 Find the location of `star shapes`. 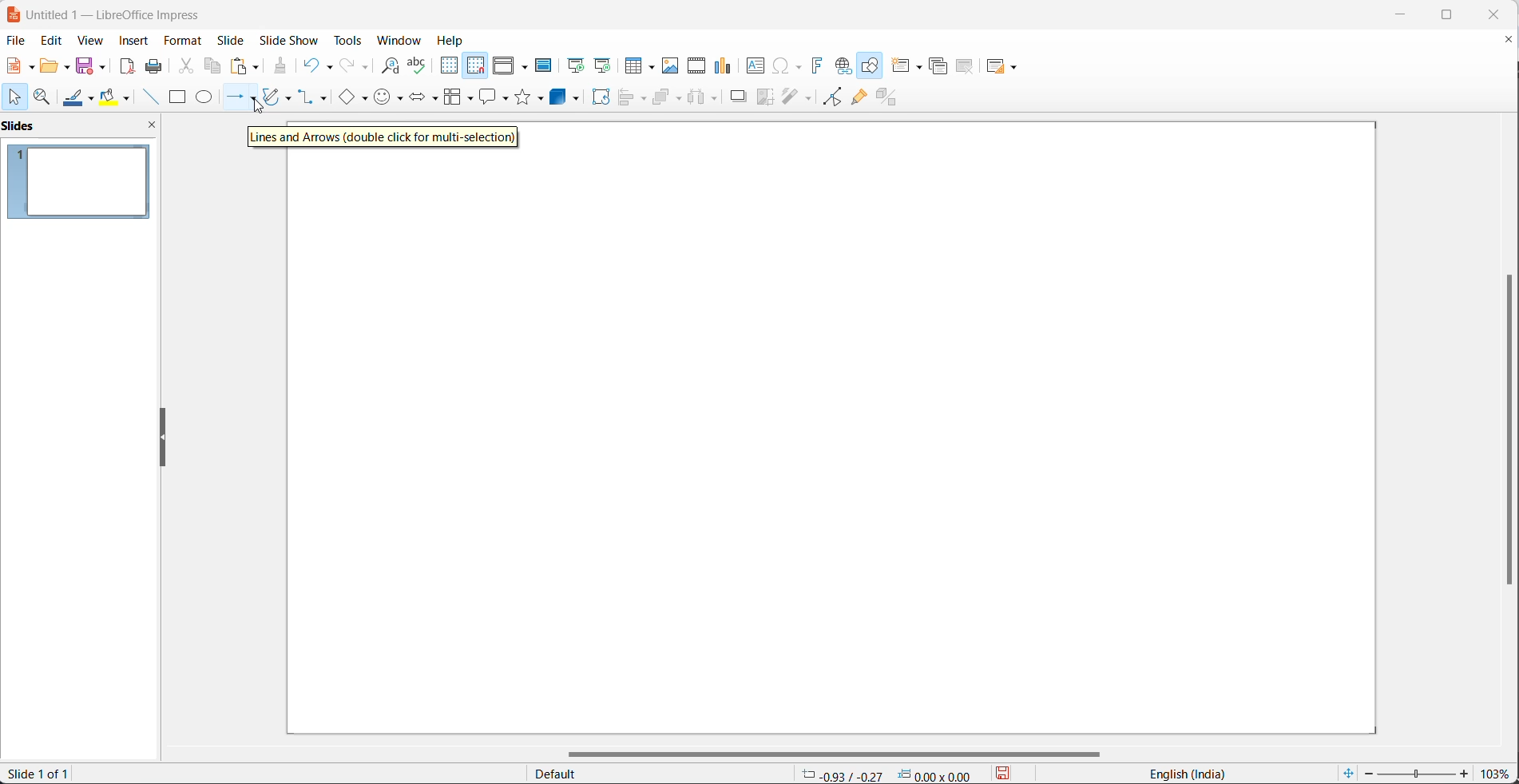

star shapes is located at coordinates (531, 97).